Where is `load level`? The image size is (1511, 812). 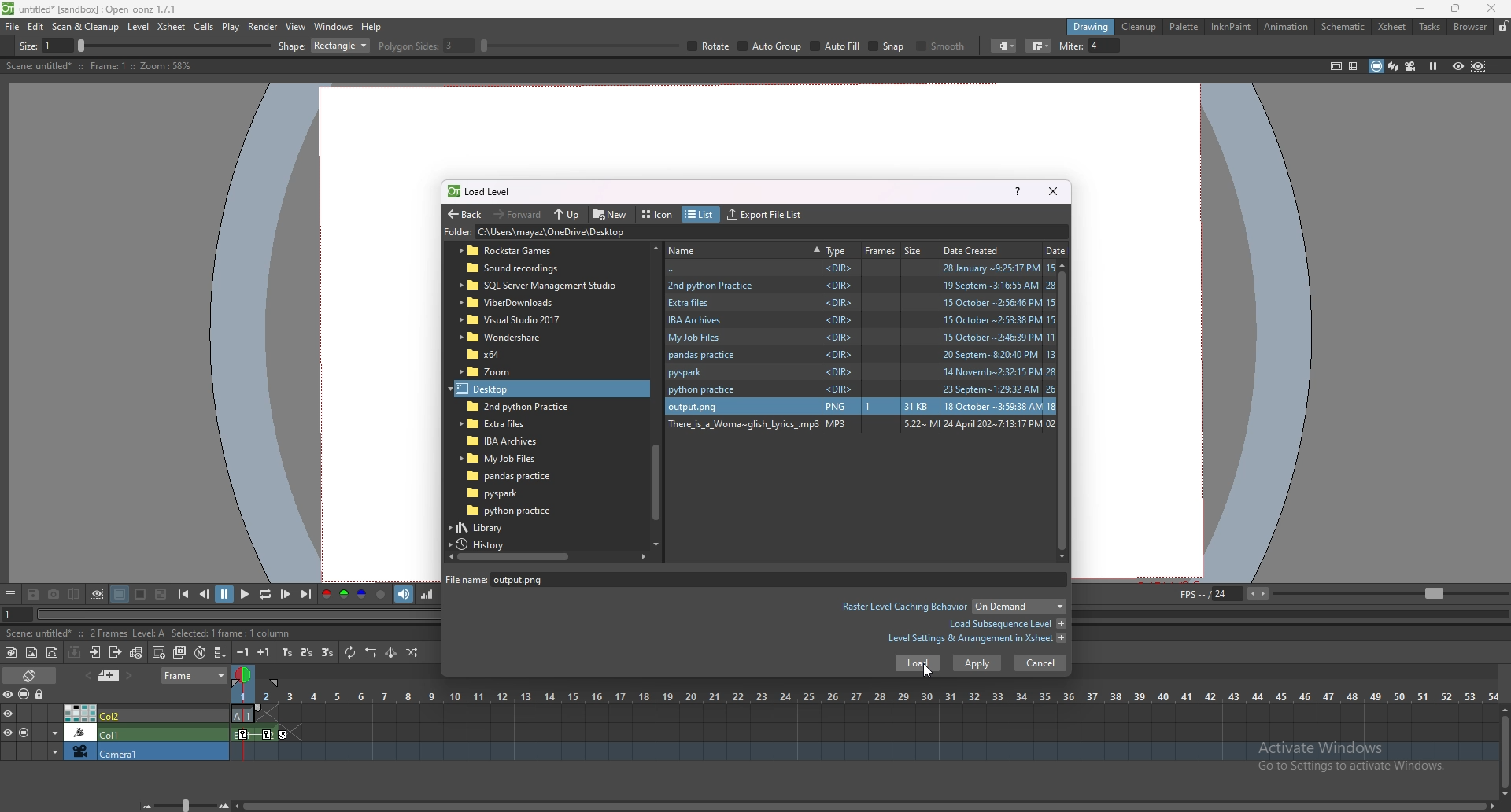 load level is located at coordinates (486, 191).